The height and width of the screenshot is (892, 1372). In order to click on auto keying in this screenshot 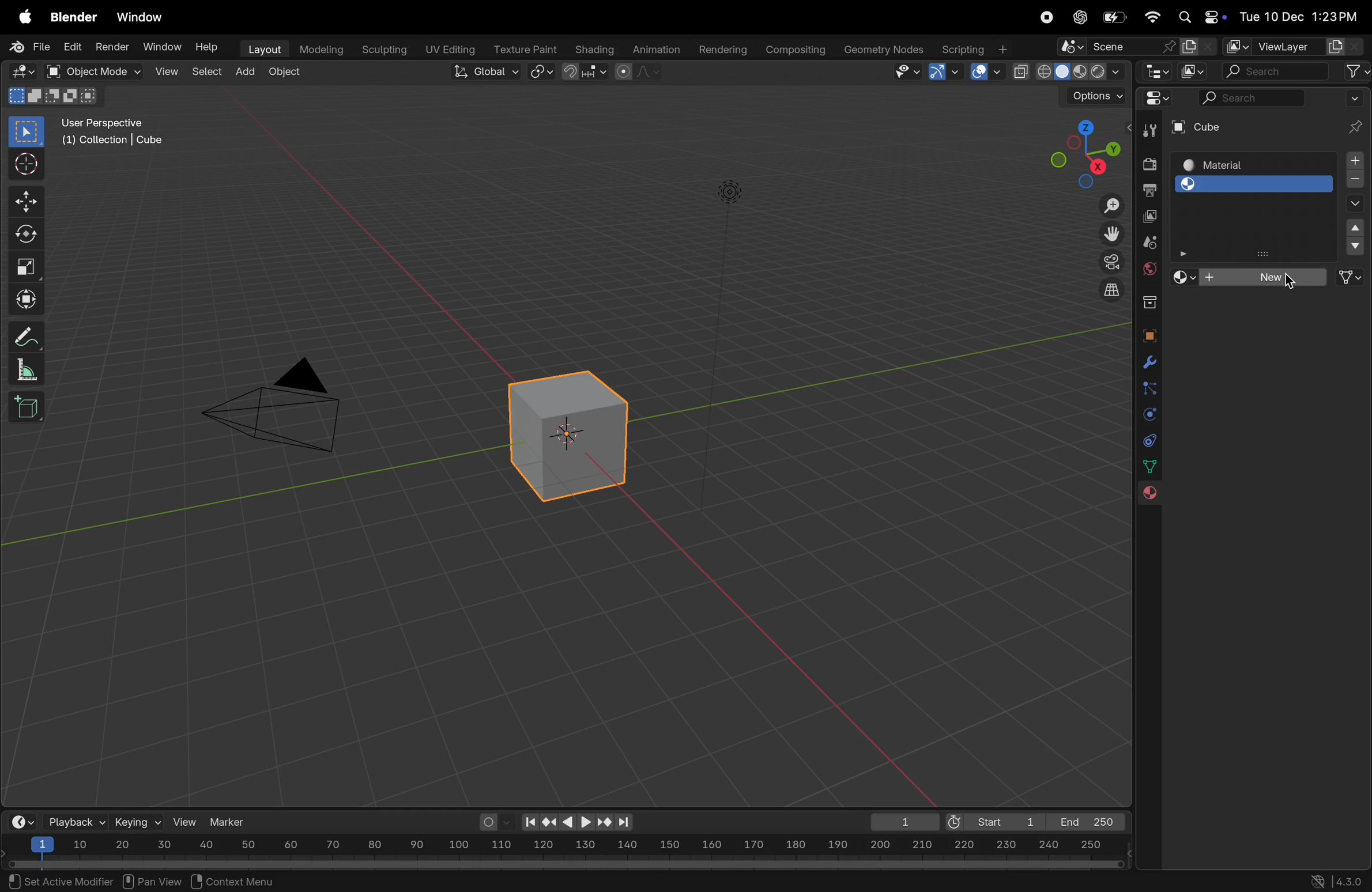, I will do `click(493, 822)`.